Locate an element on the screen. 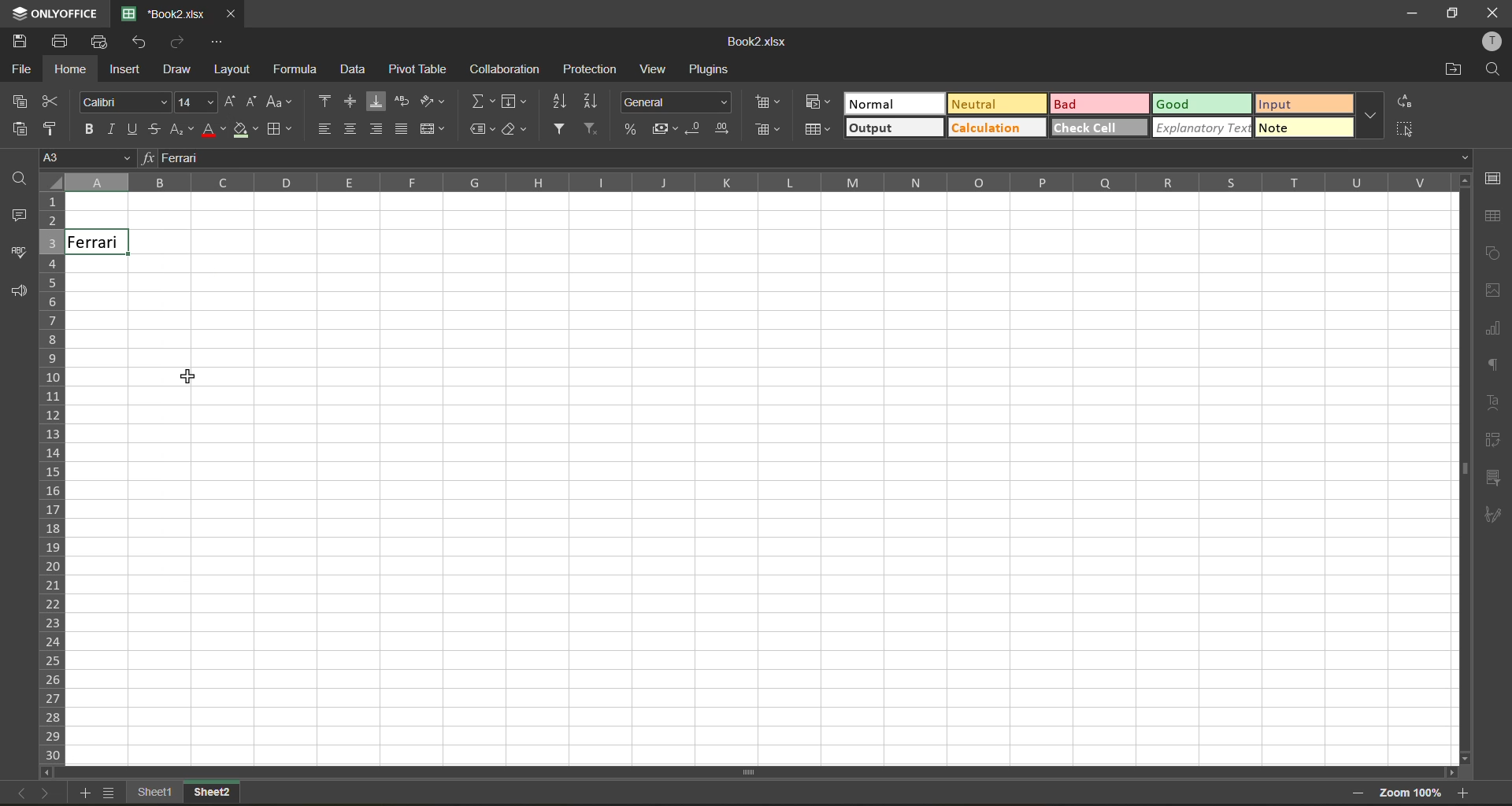 Image resolution: width=1512 pixels, height=806 pixels. percent is located at coordinates (631, 127).